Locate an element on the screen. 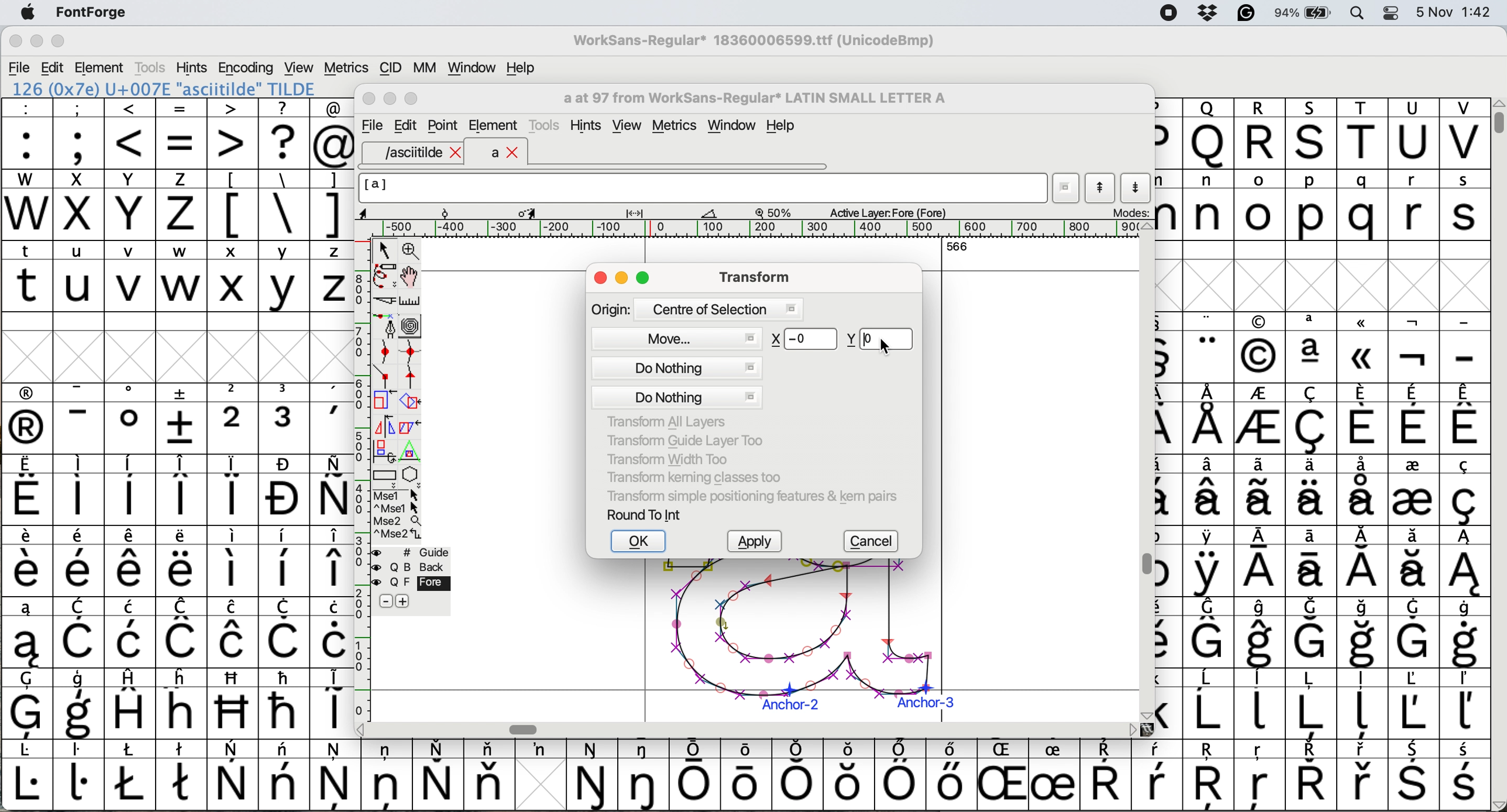  symbol is located at coordinates (133, 632).